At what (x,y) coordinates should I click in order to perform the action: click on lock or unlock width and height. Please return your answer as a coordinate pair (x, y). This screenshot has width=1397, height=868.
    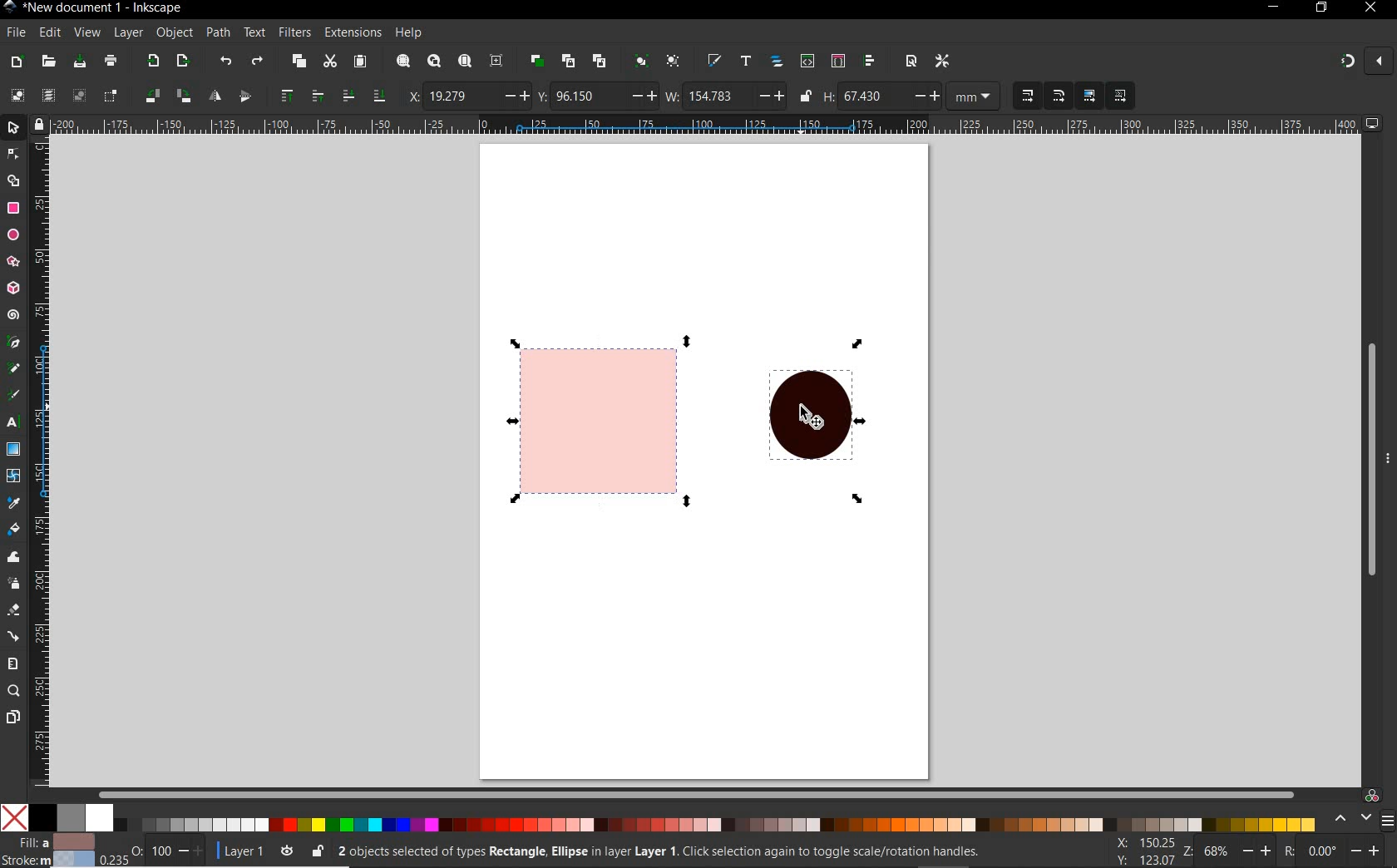
    Looking at the image, I should click on (807, 95).